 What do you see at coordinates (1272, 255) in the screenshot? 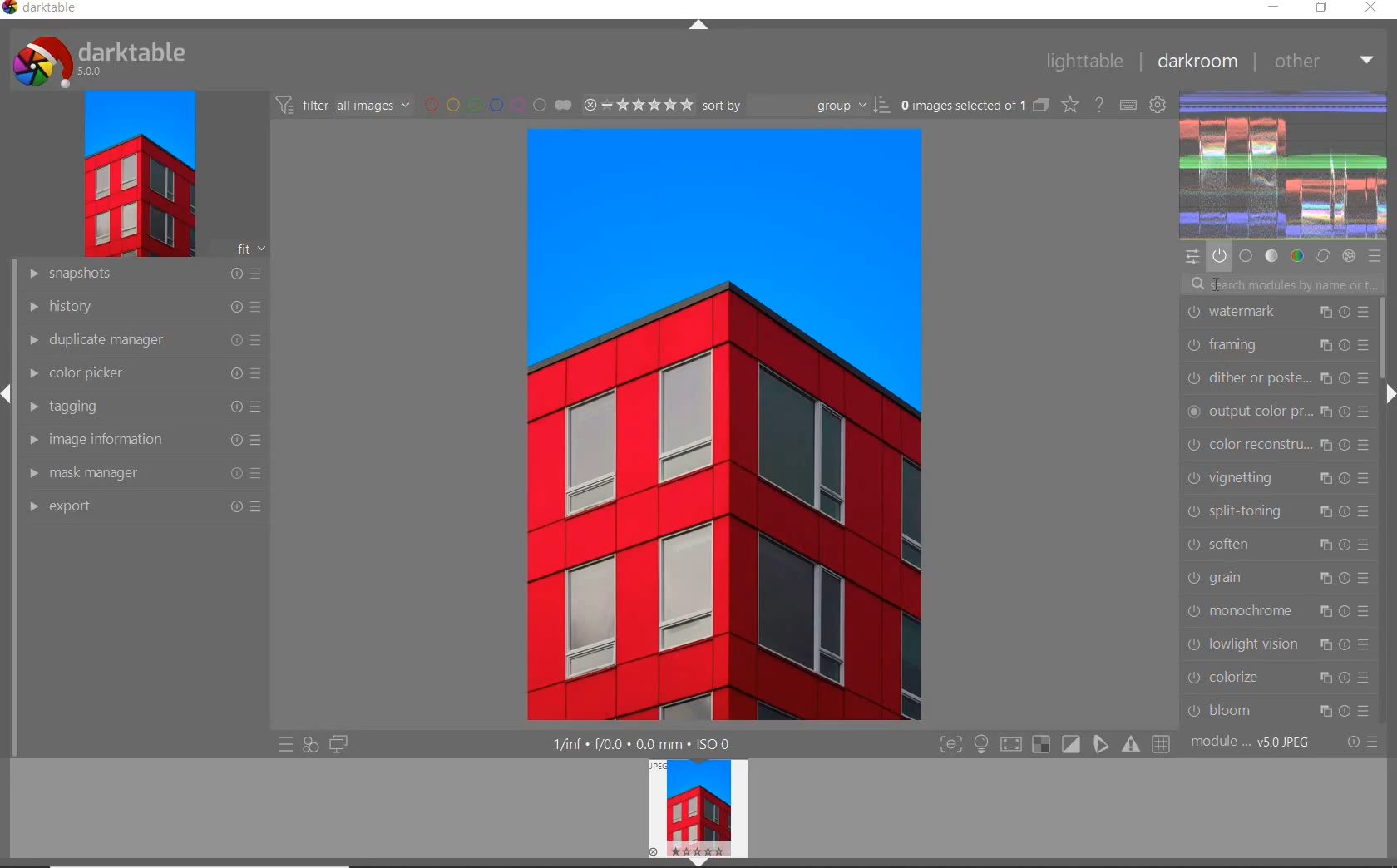
I see `tone` at bounding box center [1272, 255].